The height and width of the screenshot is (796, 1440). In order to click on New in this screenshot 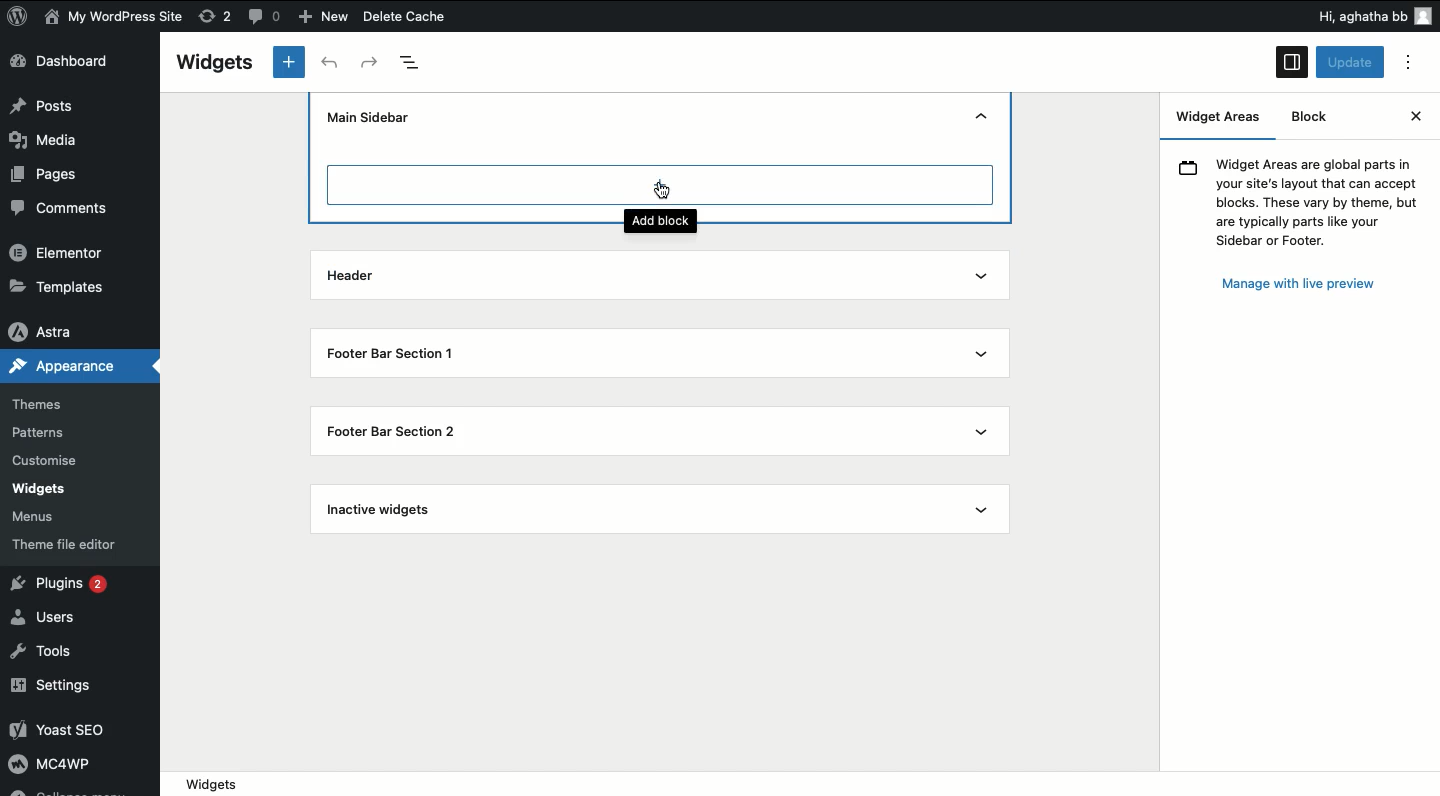, I will do `click(329, 17)`.